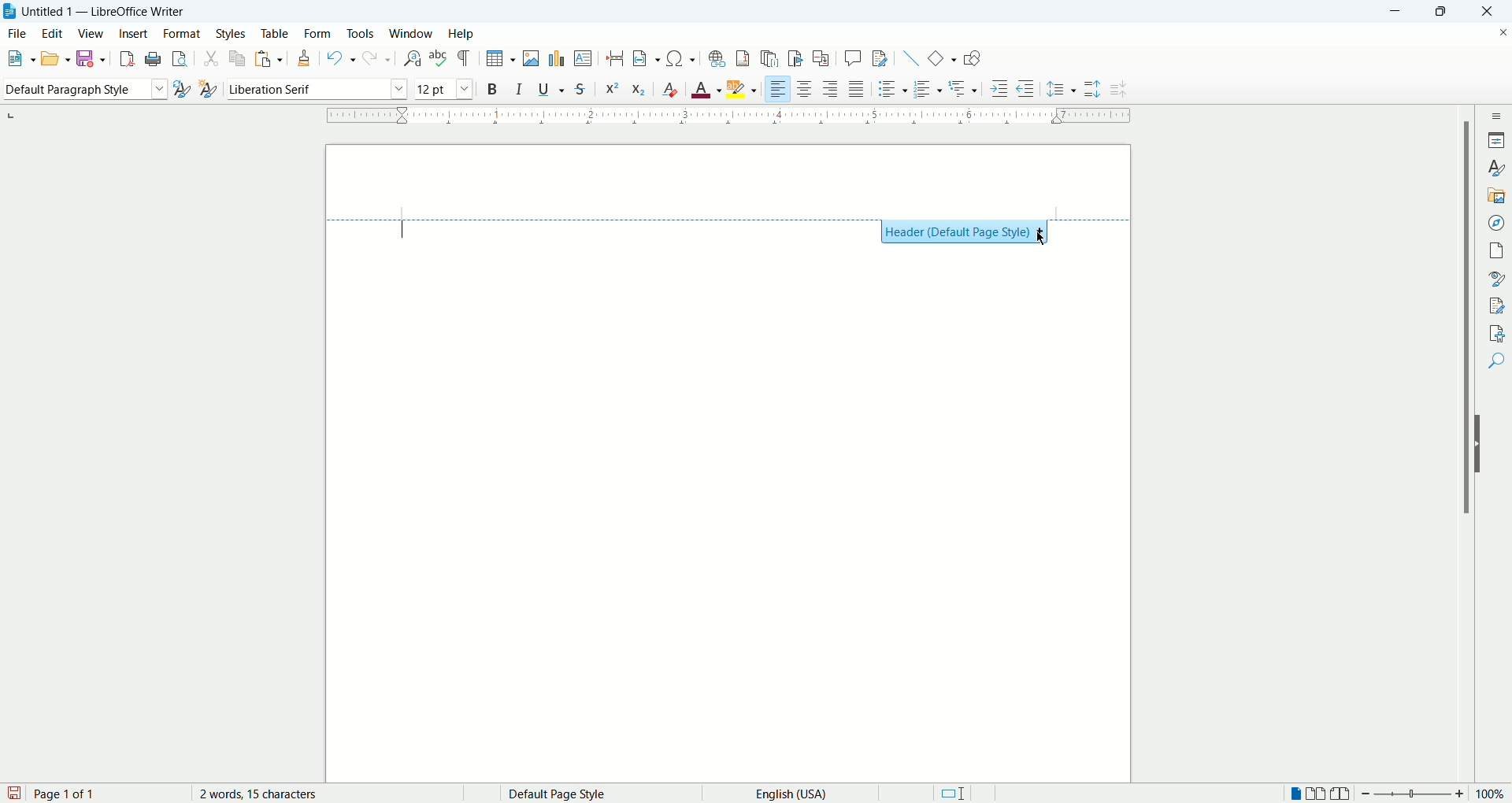 The width and height of the screenshot is (1512, 803). What do you see at coordinates (740, 60) in the screenshot?
I see `insert footnote` at bounding box center [740, 60].